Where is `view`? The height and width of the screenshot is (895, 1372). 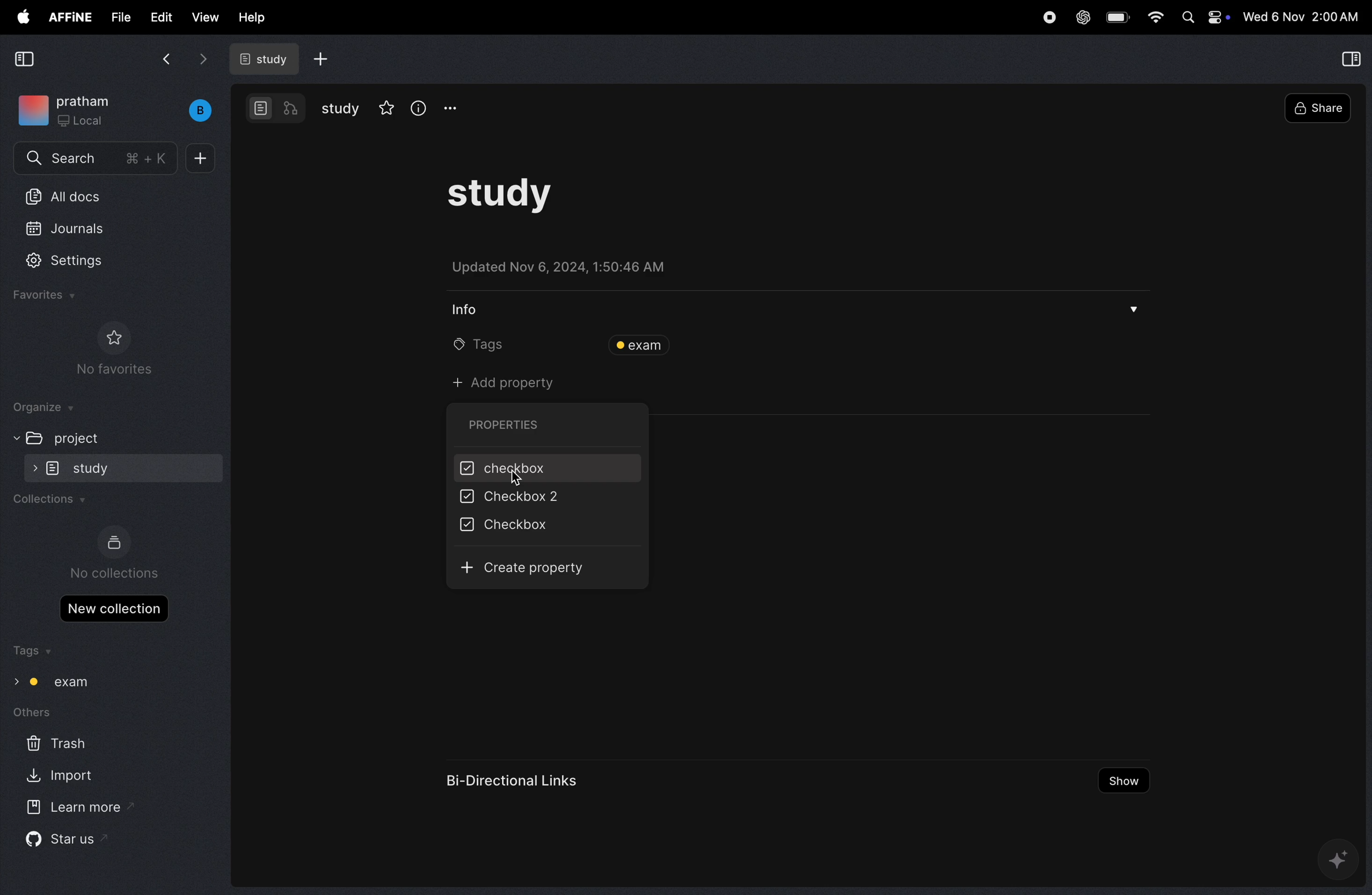 view is located at coordinates (205, 18).